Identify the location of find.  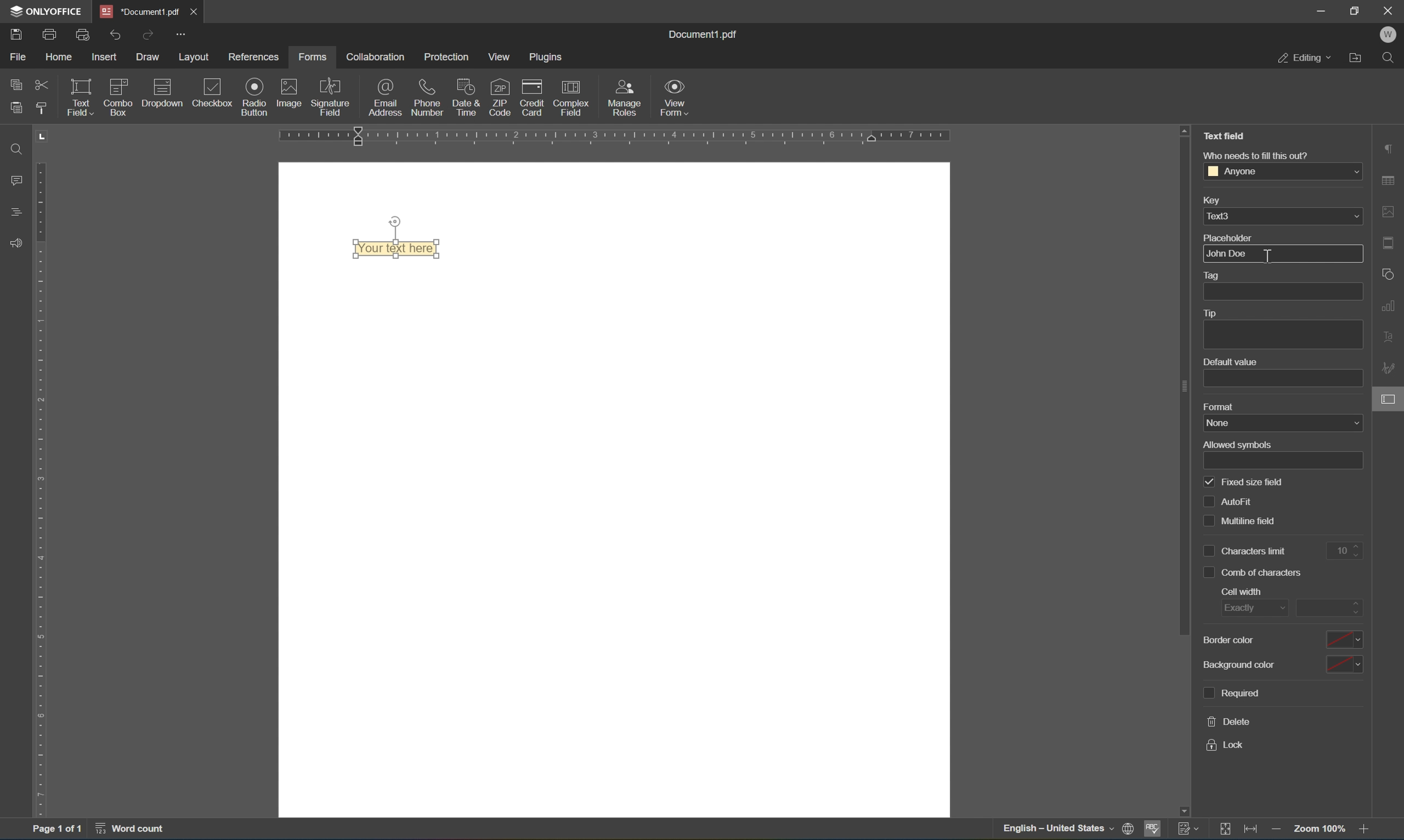
(20, 149).